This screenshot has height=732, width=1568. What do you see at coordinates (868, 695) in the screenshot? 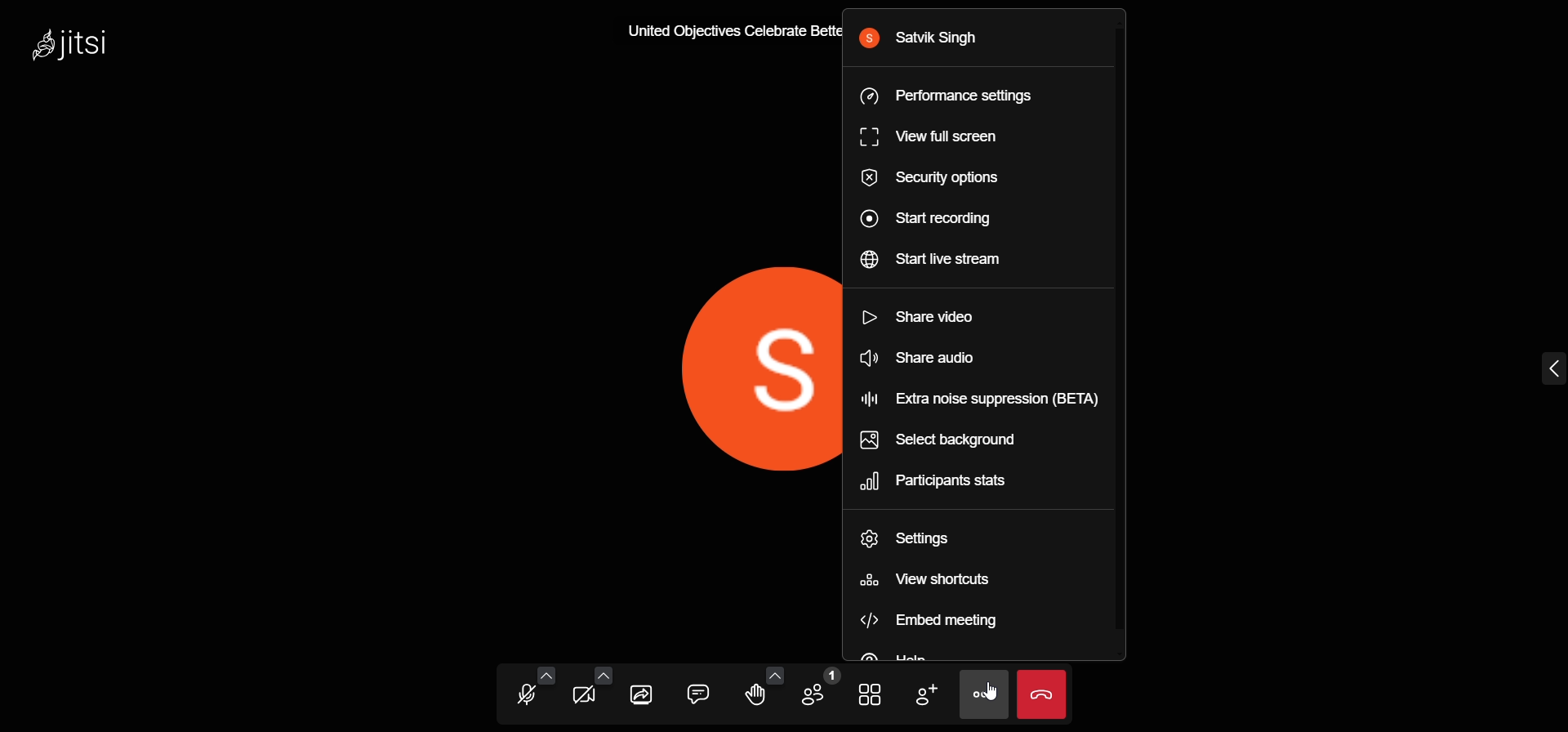
I see `tile view` at bounding box center [868, 695].